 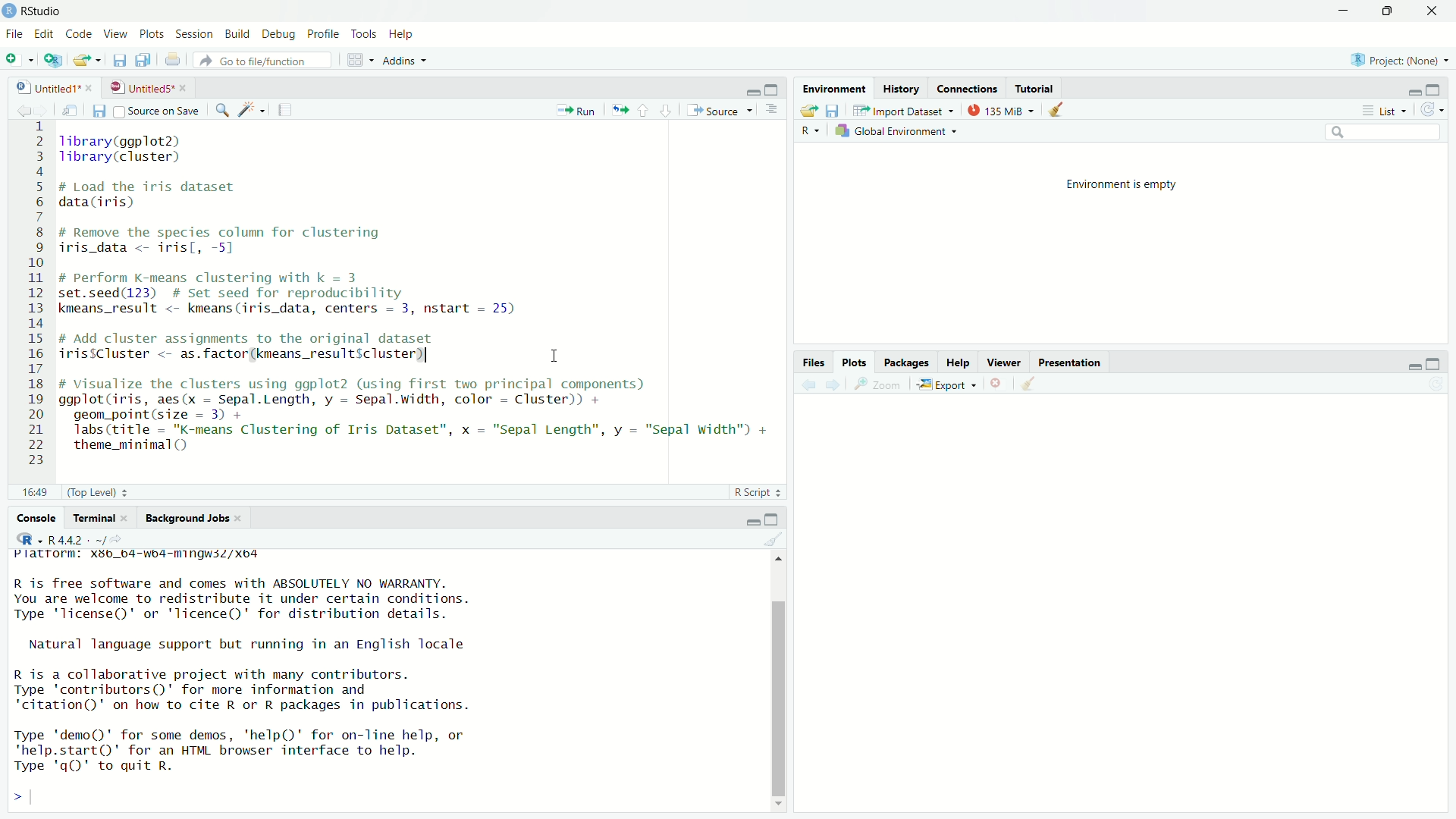 I want to click on print the current file, so click(x=173, y=61).